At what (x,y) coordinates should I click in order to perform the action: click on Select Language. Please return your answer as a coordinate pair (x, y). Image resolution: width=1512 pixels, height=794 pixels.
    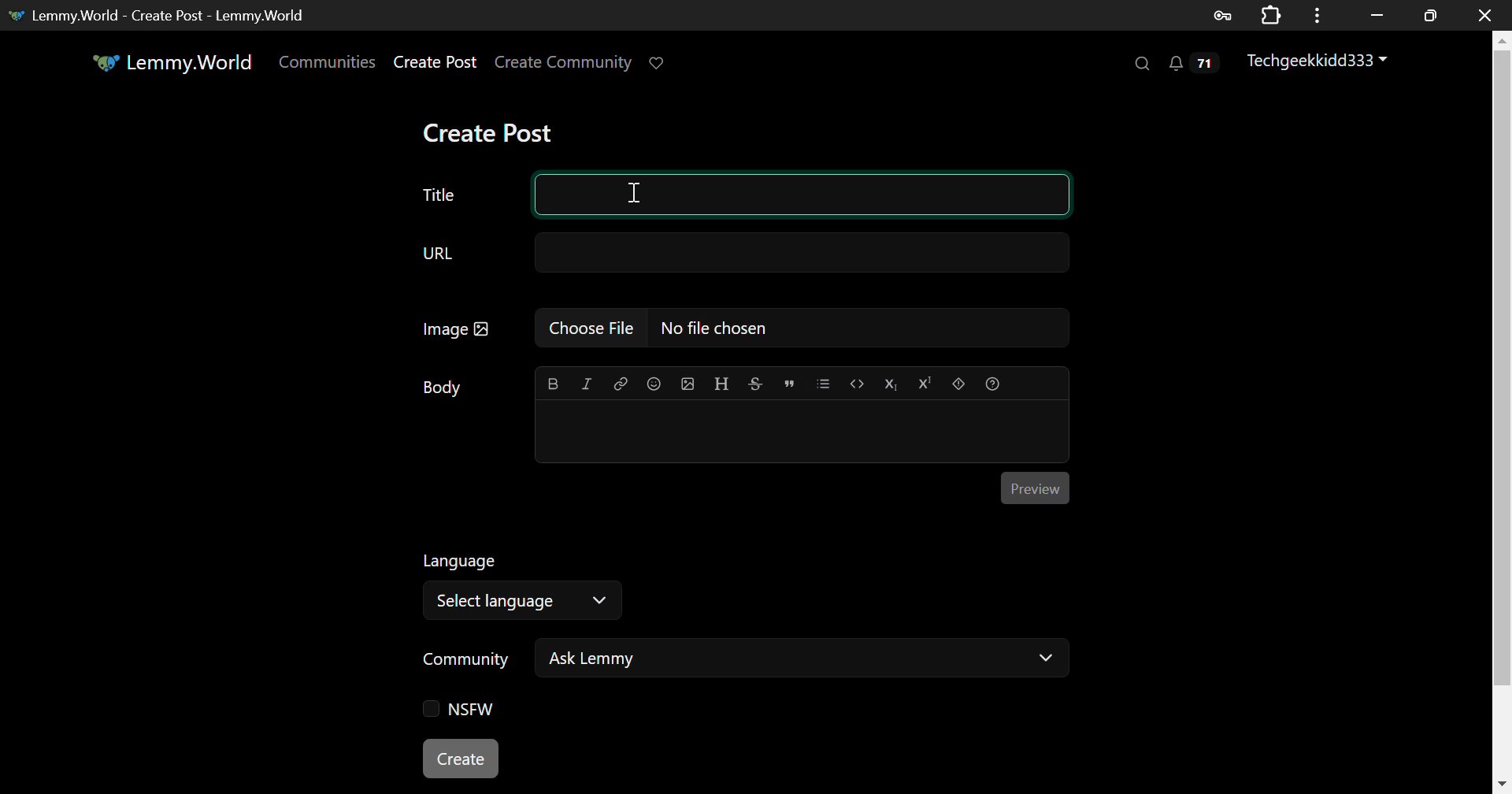
    Looking at the image, I should click on (528, 583).